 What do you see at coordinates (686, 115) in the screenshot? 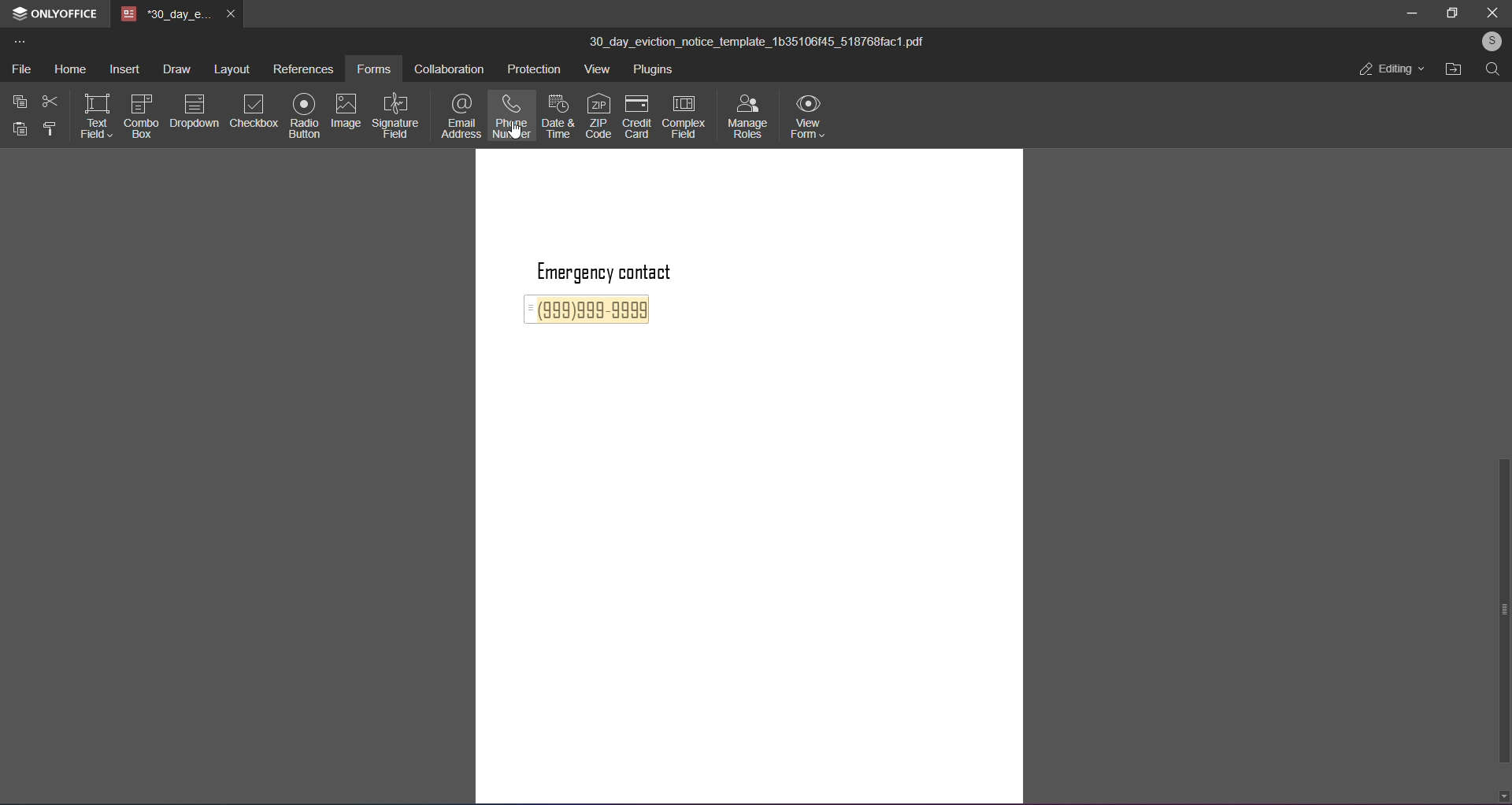
I see `complex feed` at bounding box center [686, 115].